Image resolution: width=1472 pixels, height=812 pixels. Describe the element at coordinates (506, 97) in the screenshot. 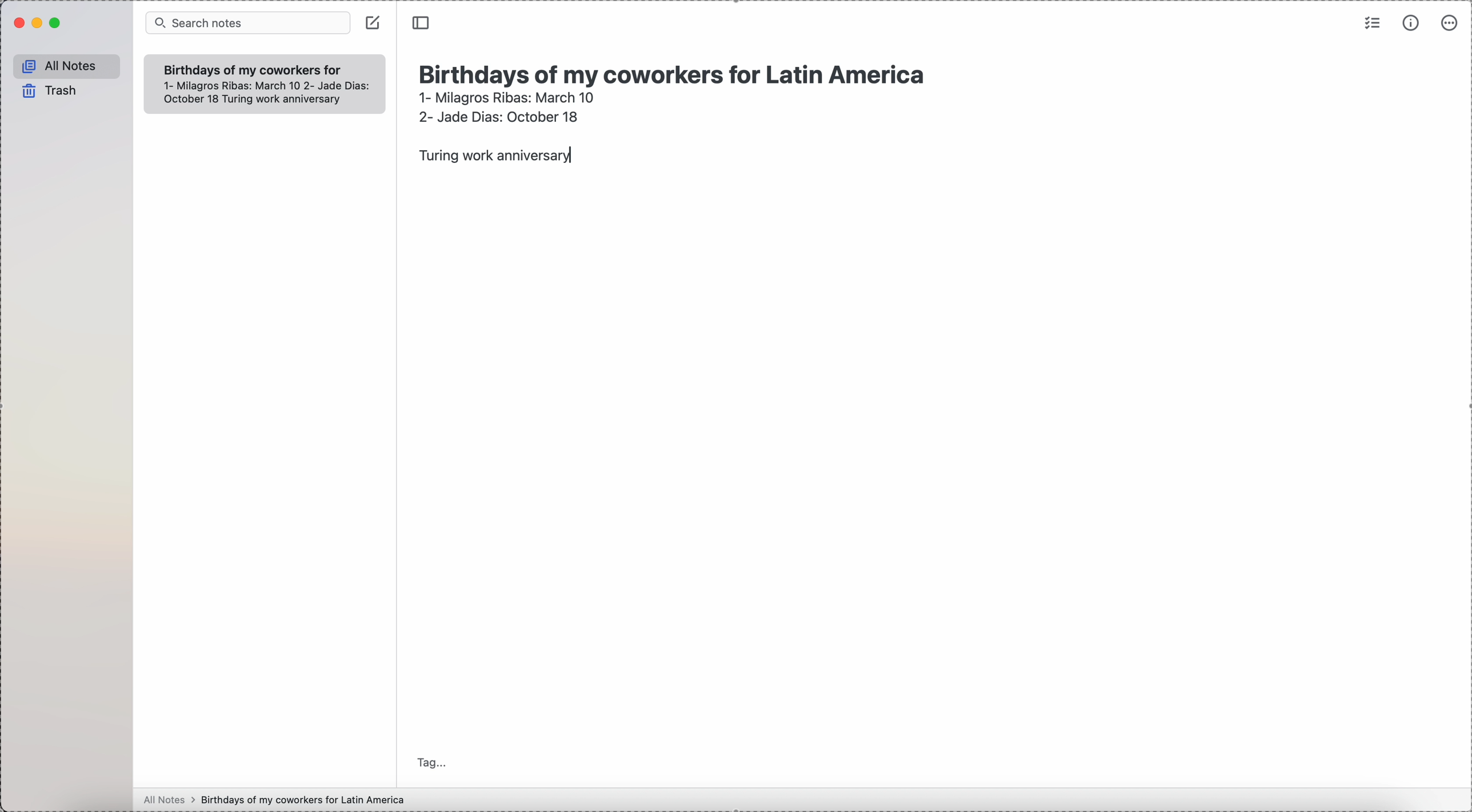

I see `1- Milagros` at that location.